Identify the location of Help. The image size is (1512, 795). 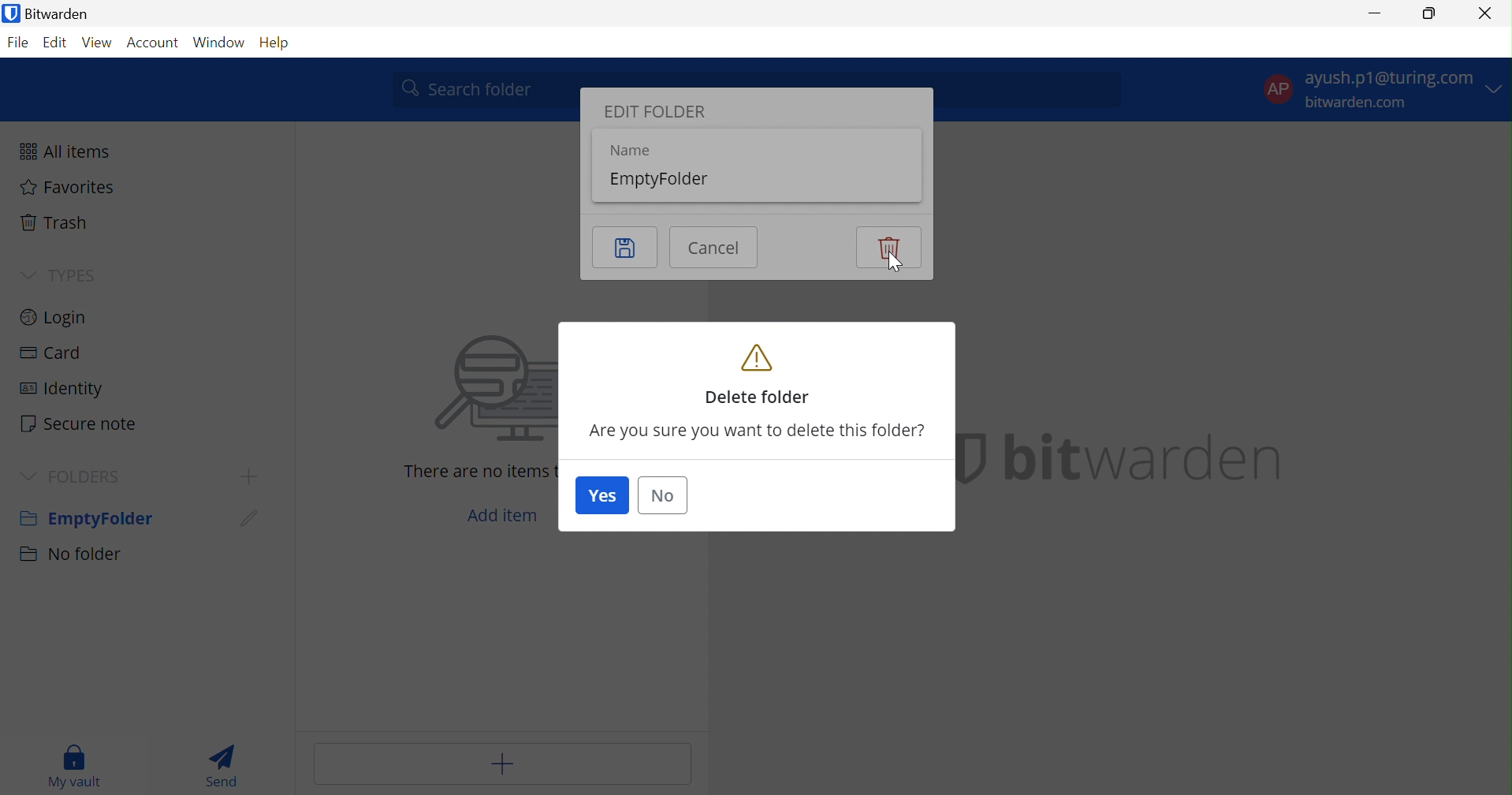
(283, 43).